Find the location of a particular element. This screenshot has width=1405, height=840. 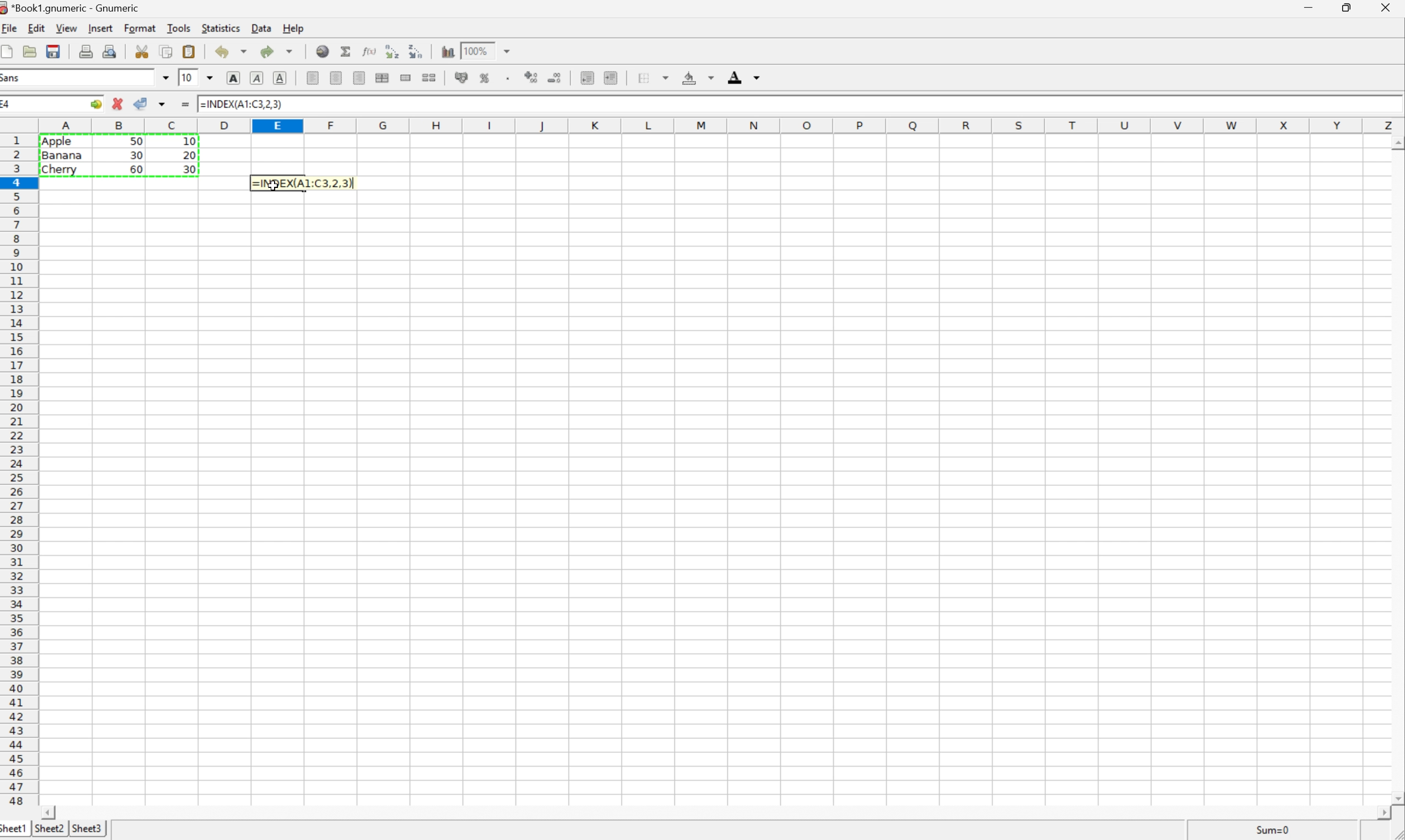

background is located at coordinates (700, 78).